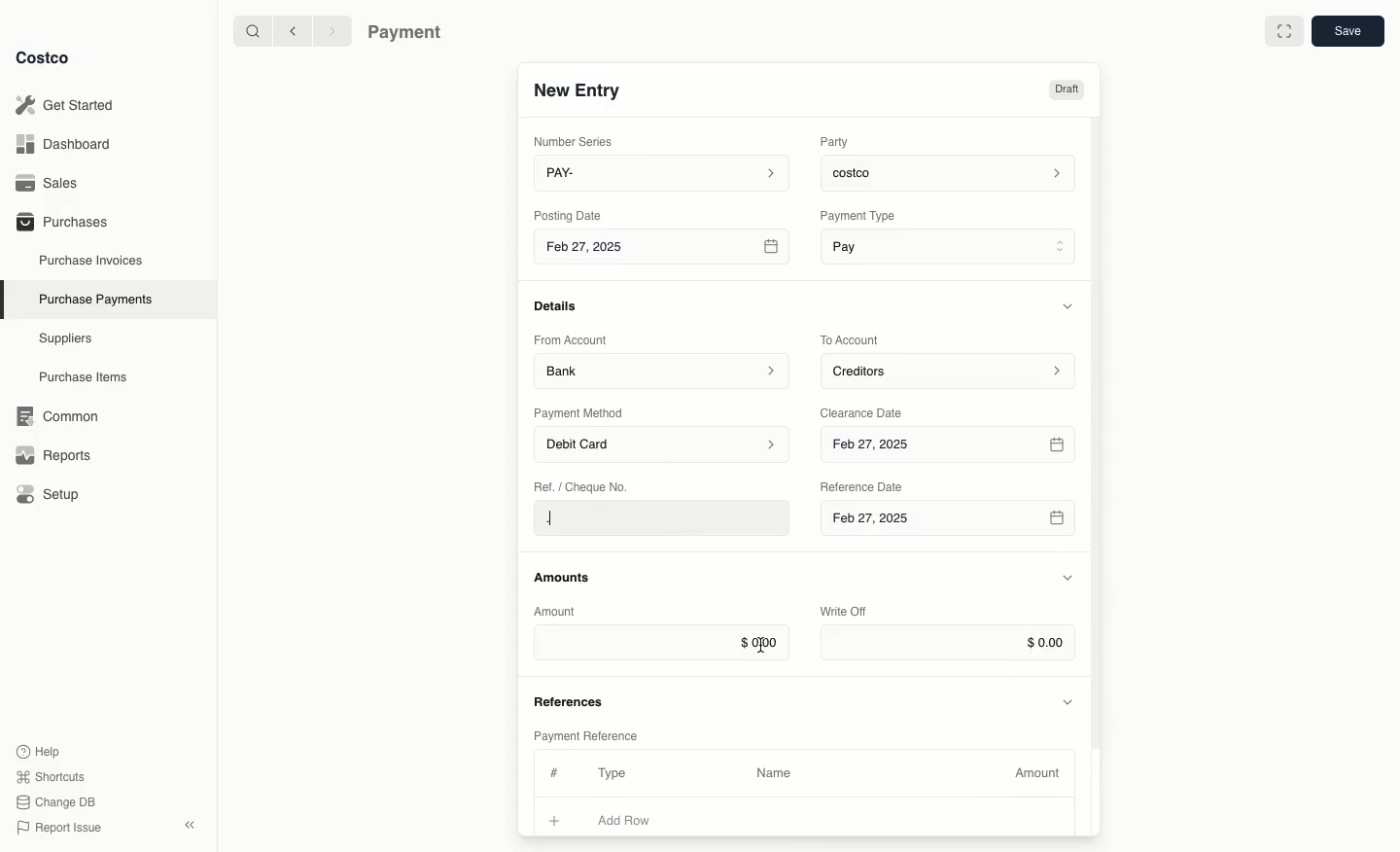 The image size is (1400, 852). Describe the element at coordinates (868, 411) in the screenshot. I see `Clearance Date` at that location.